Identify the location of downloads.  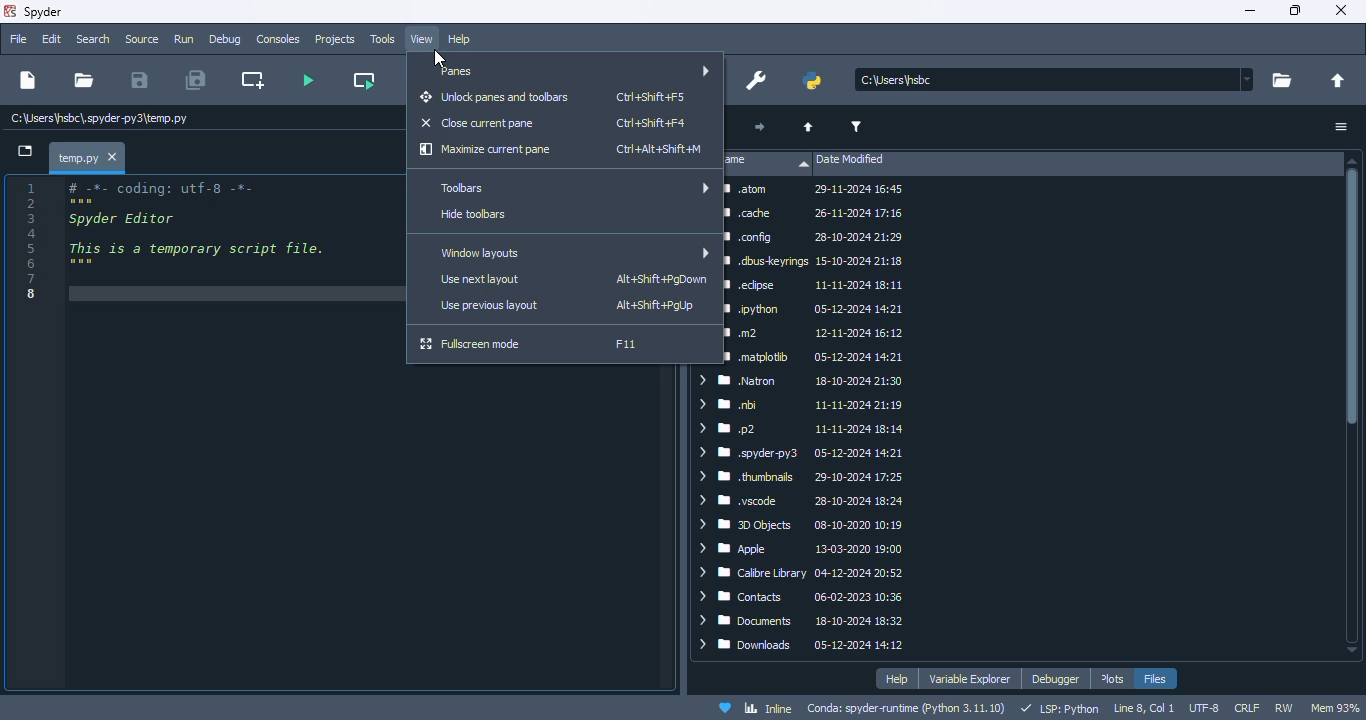
(806, 645).